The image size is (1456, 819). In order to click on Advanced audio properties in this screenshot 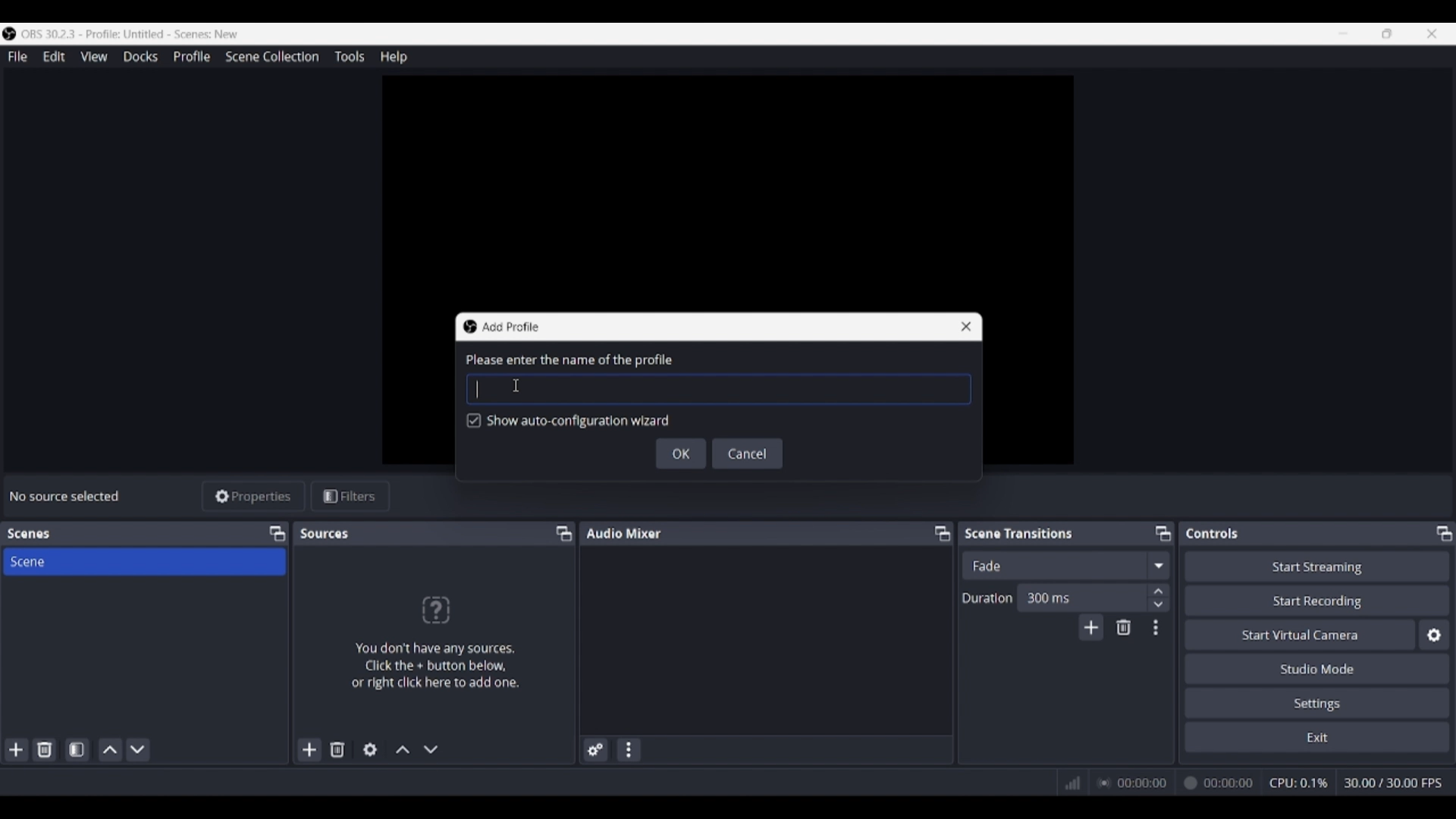, I will do `click(595, 750)`.